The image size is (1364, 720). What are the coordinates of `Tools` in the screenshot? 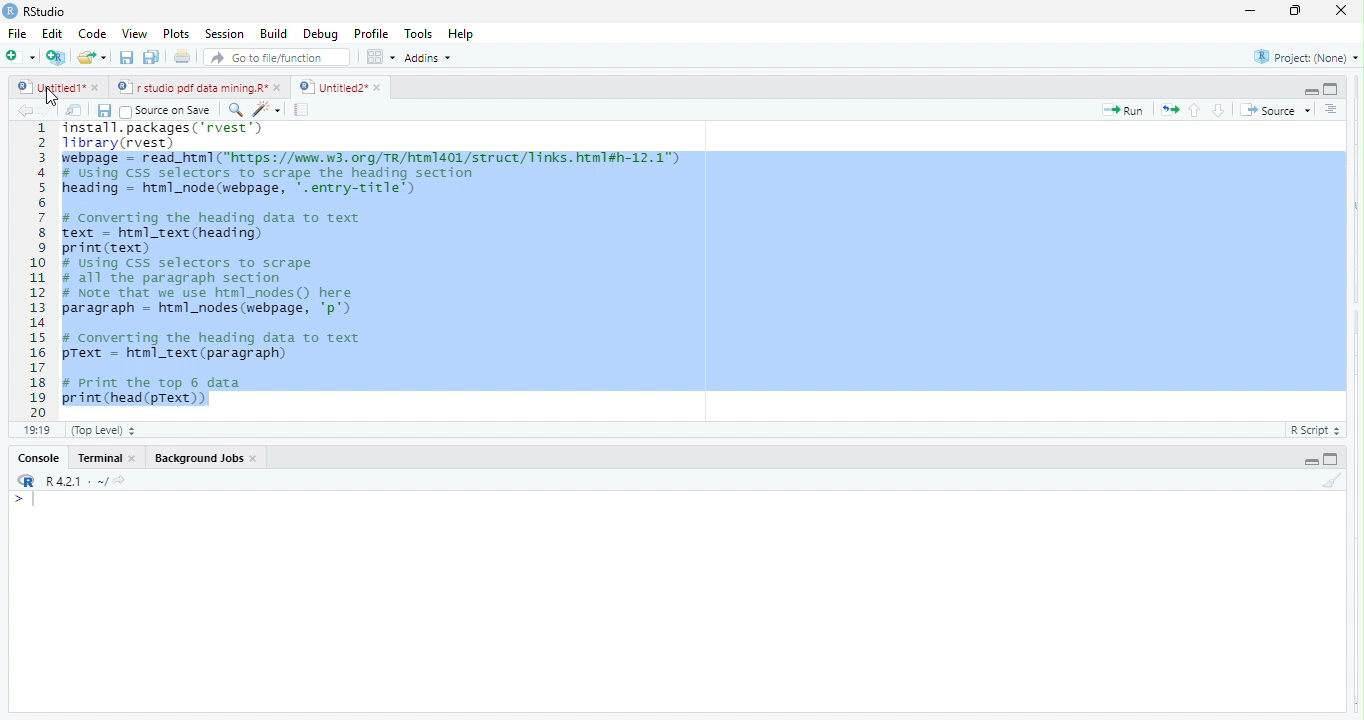 It's located at (420, 33).